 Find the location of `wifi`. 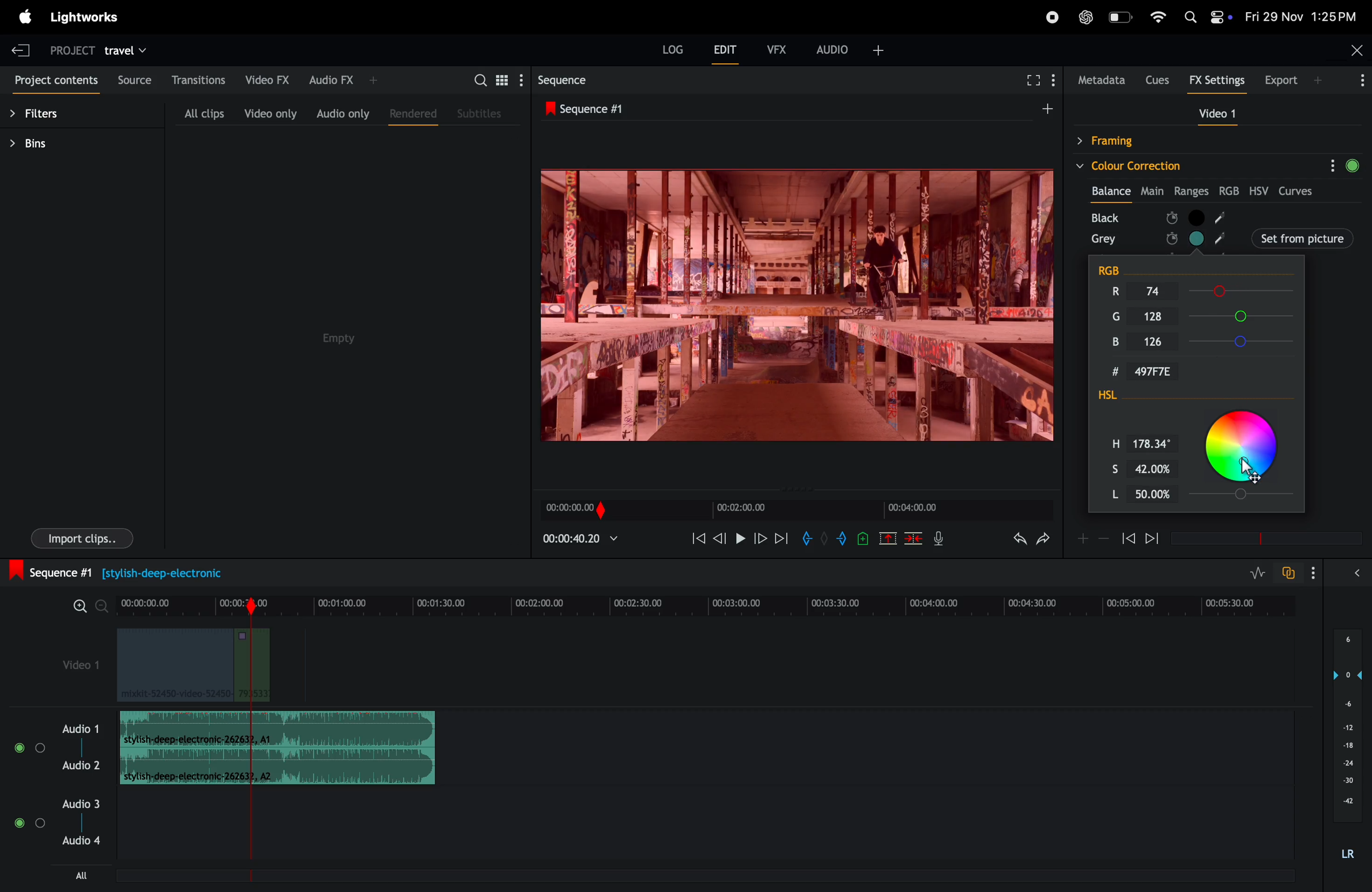

wifi is located at coordinates (1158, 17).